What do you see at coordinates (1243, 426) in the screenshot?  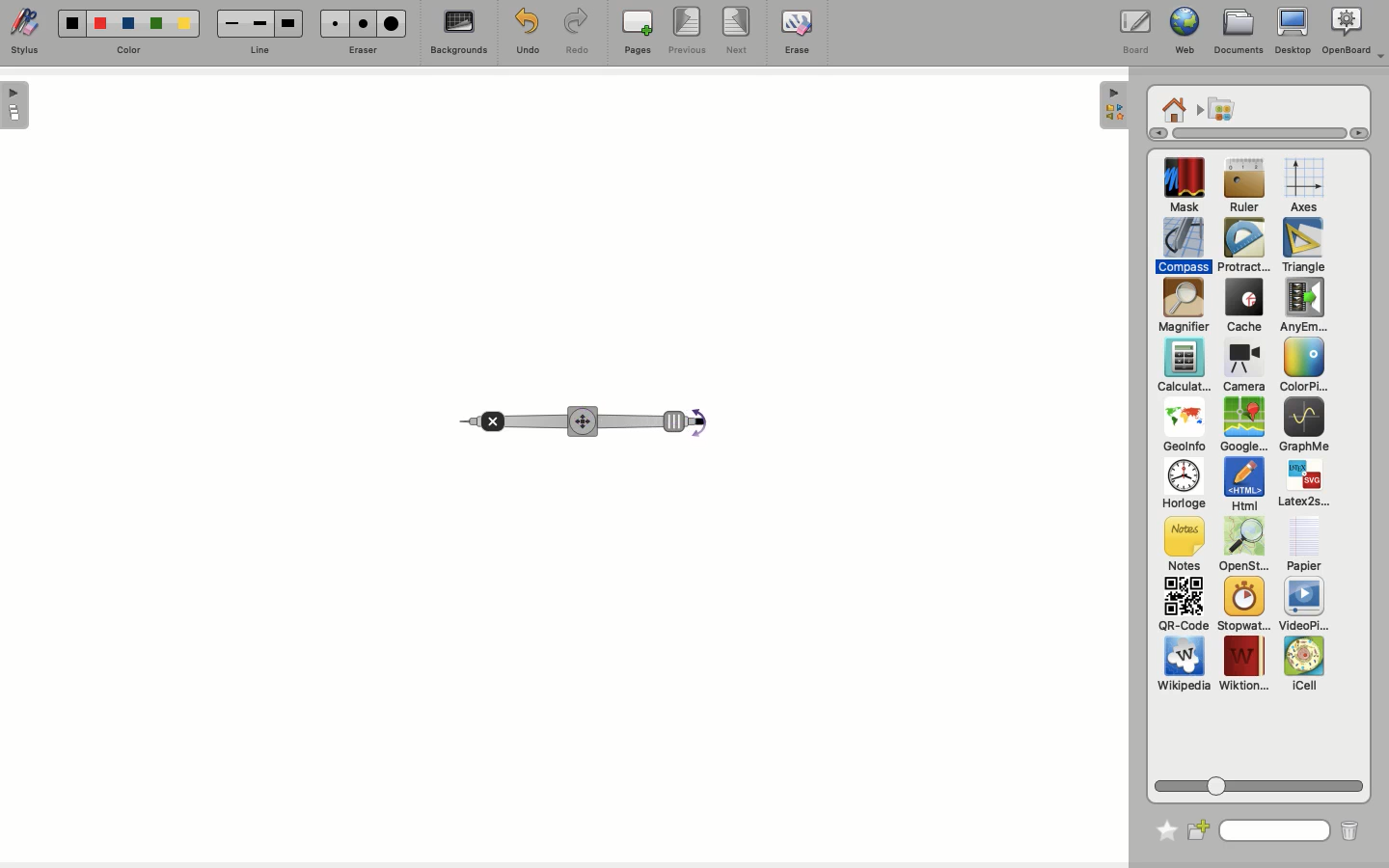 I see `GoogleMap` at bounding box center [1243, 426].